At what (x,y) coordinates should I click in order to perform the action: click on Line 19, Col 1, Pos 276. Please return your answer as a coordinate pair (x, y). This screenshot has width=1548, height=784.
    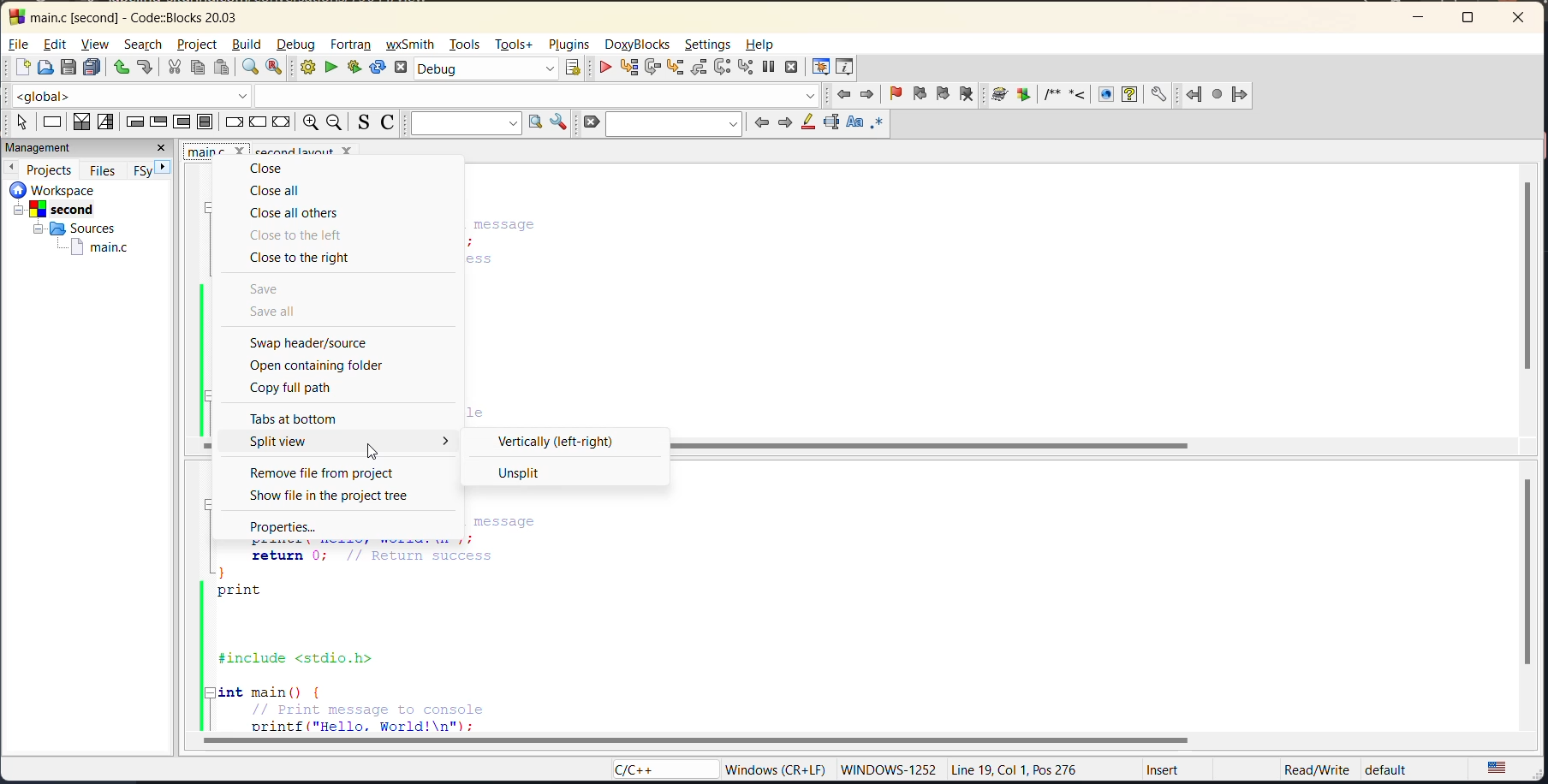
    Looking at the image, I should click on (1017, 769).